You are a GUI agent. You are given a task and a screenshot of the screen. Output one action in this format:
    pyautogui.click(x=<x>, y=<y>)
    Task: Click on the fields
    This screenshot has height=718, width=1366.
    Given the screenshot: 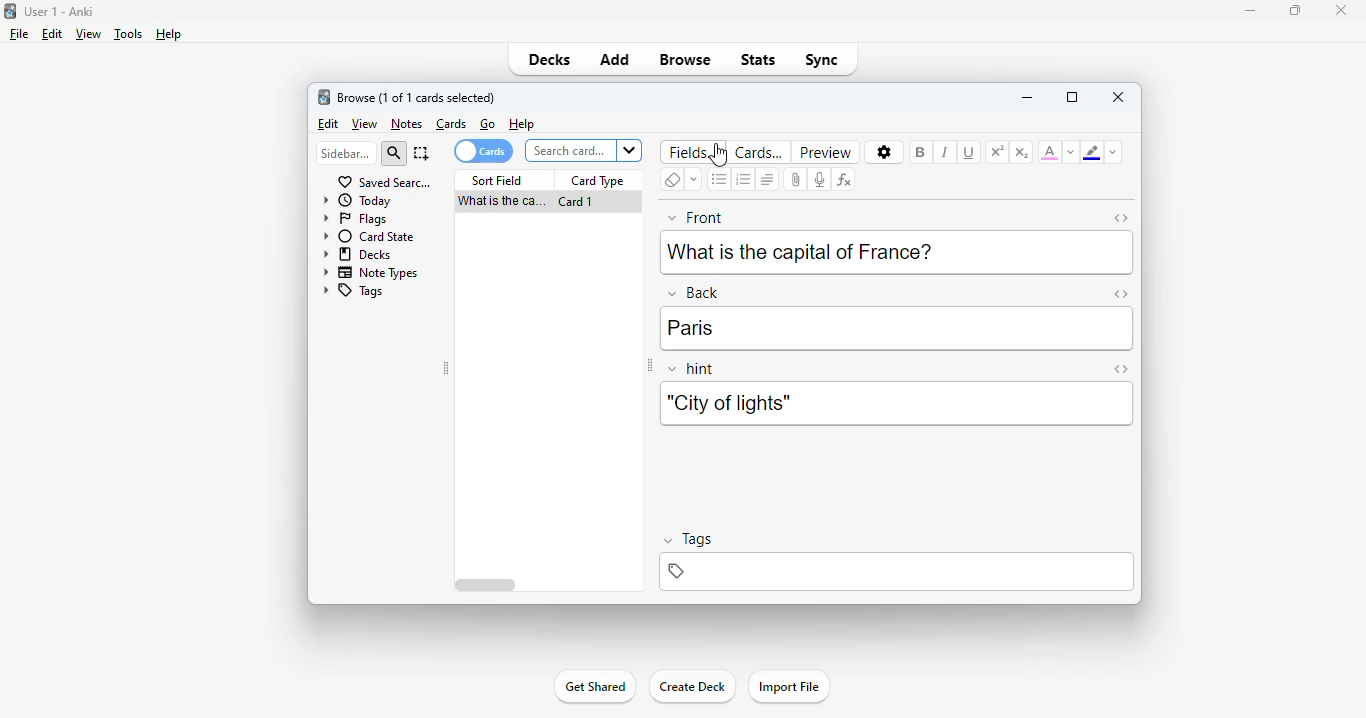 What is the action you would take?
    pyautogui.click(x=695, y=151)
    